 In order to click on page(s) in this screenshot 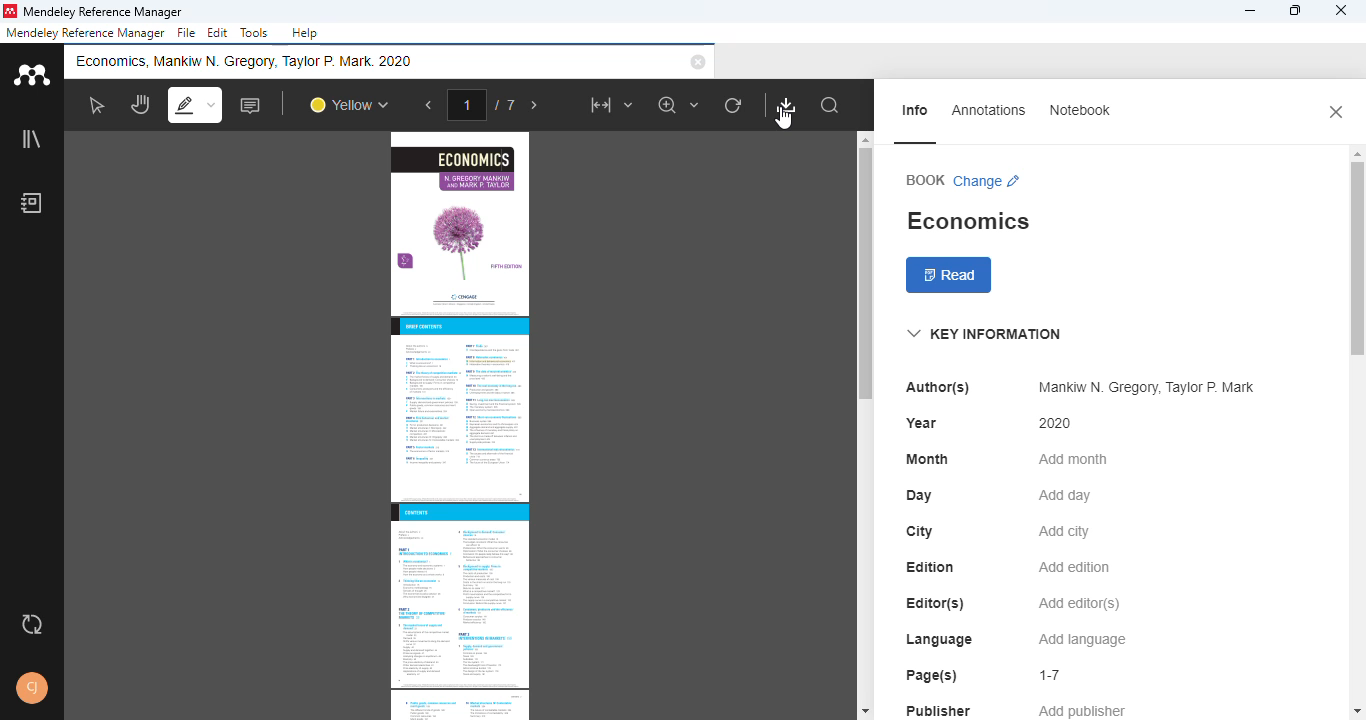, I will do `click(931, 675)`.